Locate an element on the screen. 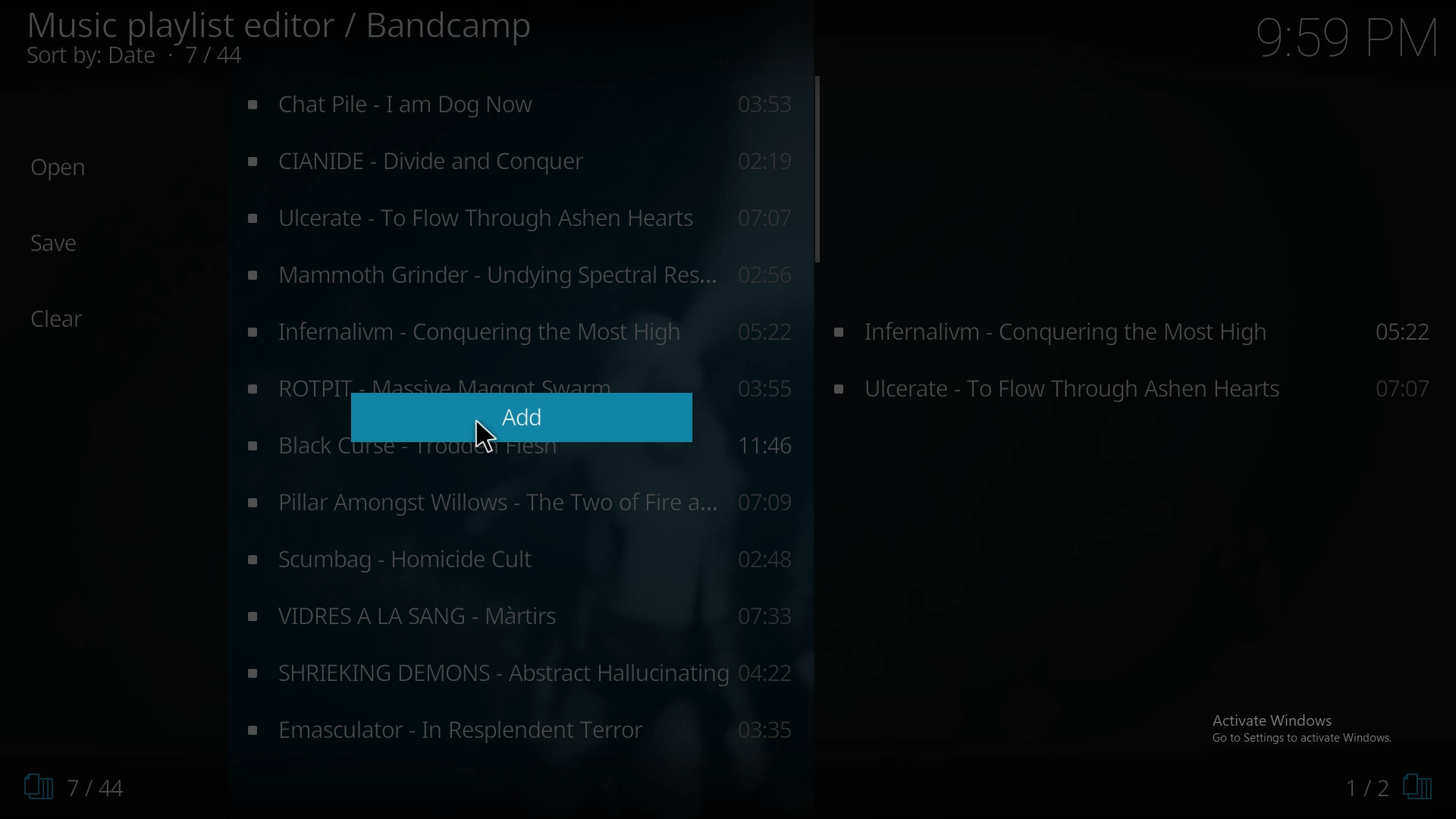 The height and width of the screenshot is (819, 1456). 9:59 PM is located at coordinates (1341, 42).